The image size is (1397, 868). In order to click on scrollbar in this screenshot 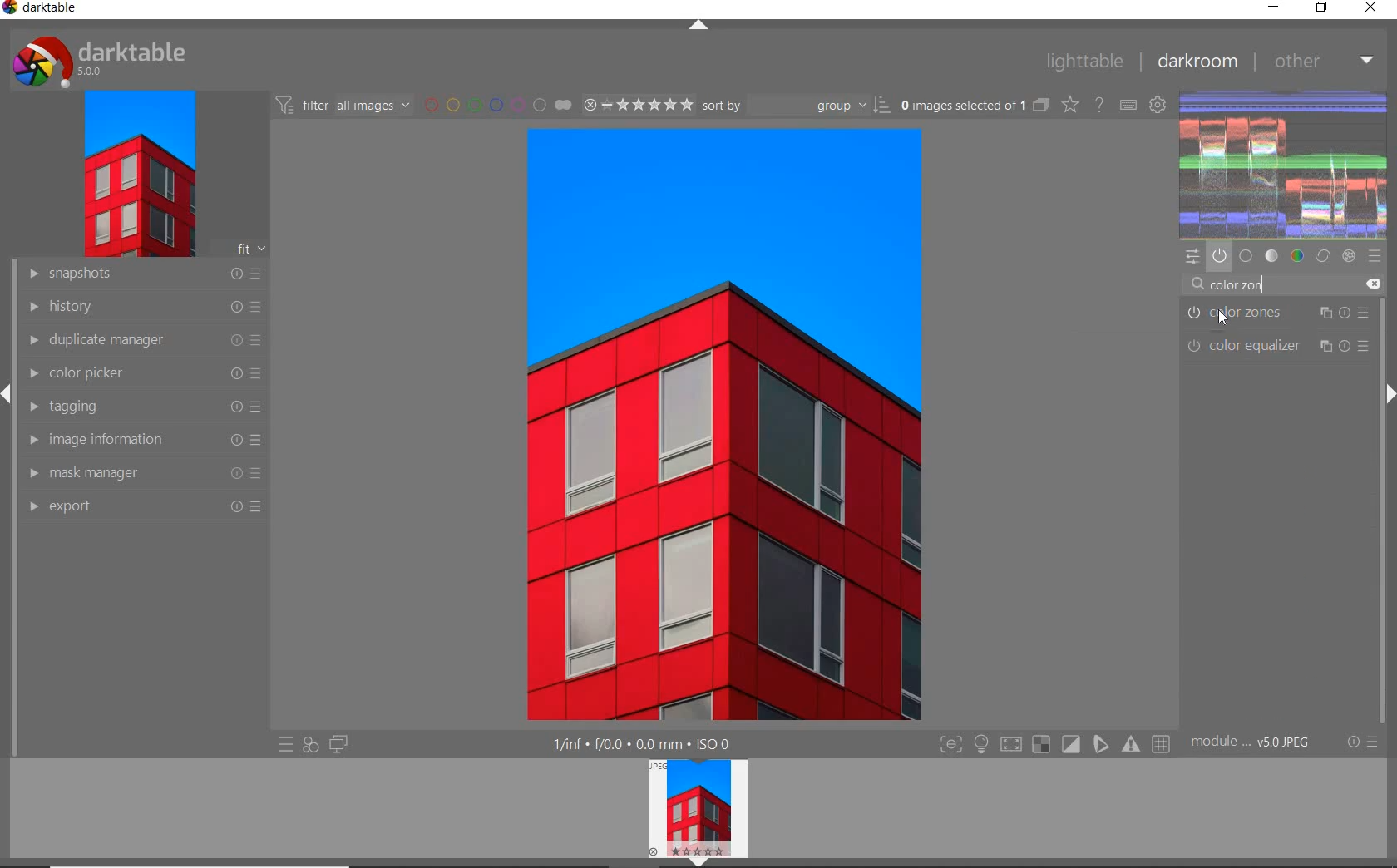, I will do `click(1383, 573)`.